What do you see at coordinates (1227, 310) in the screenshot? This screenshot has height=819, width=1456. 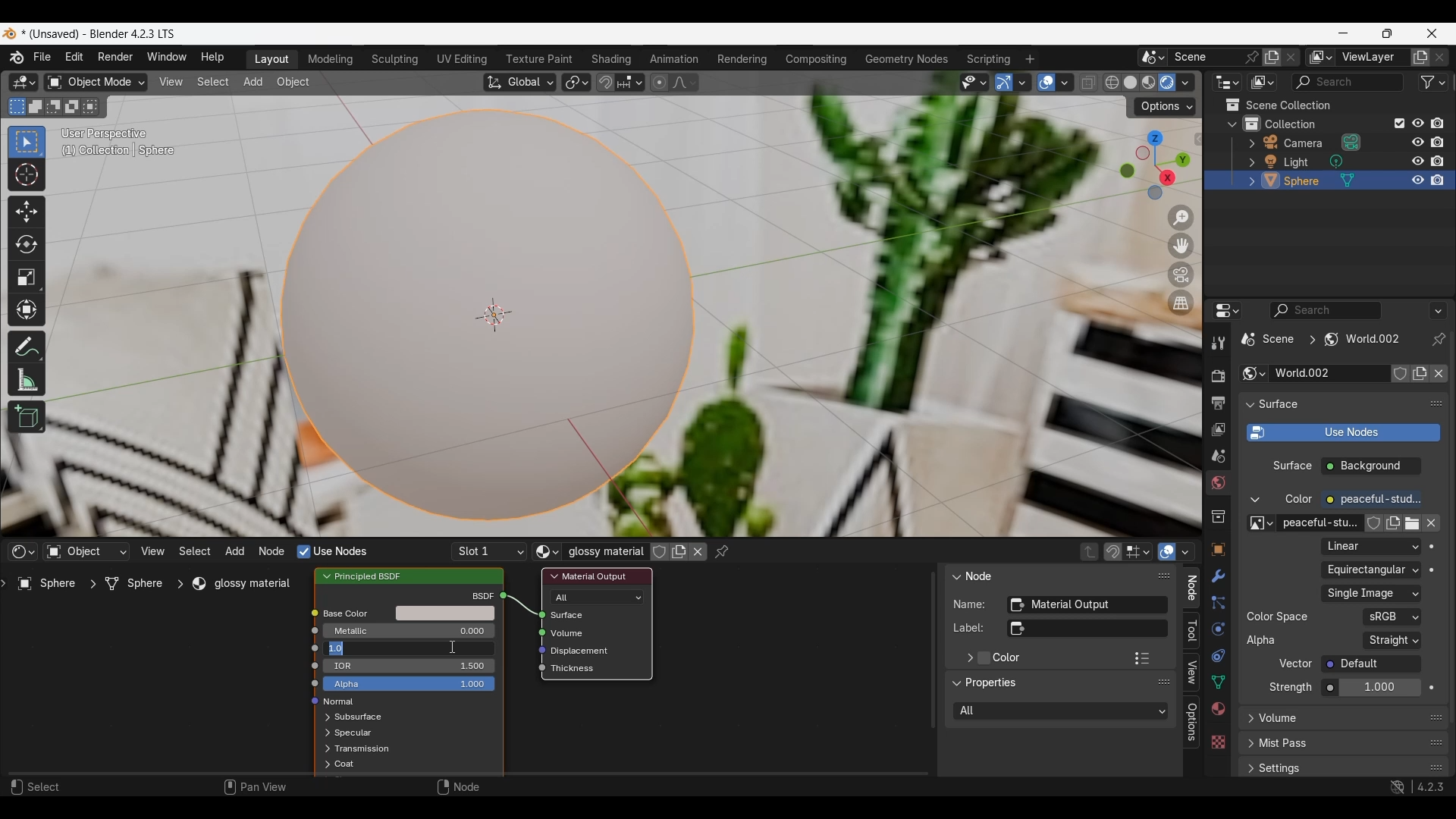 I see `Editor type options` at bounding box center [1227, 310].